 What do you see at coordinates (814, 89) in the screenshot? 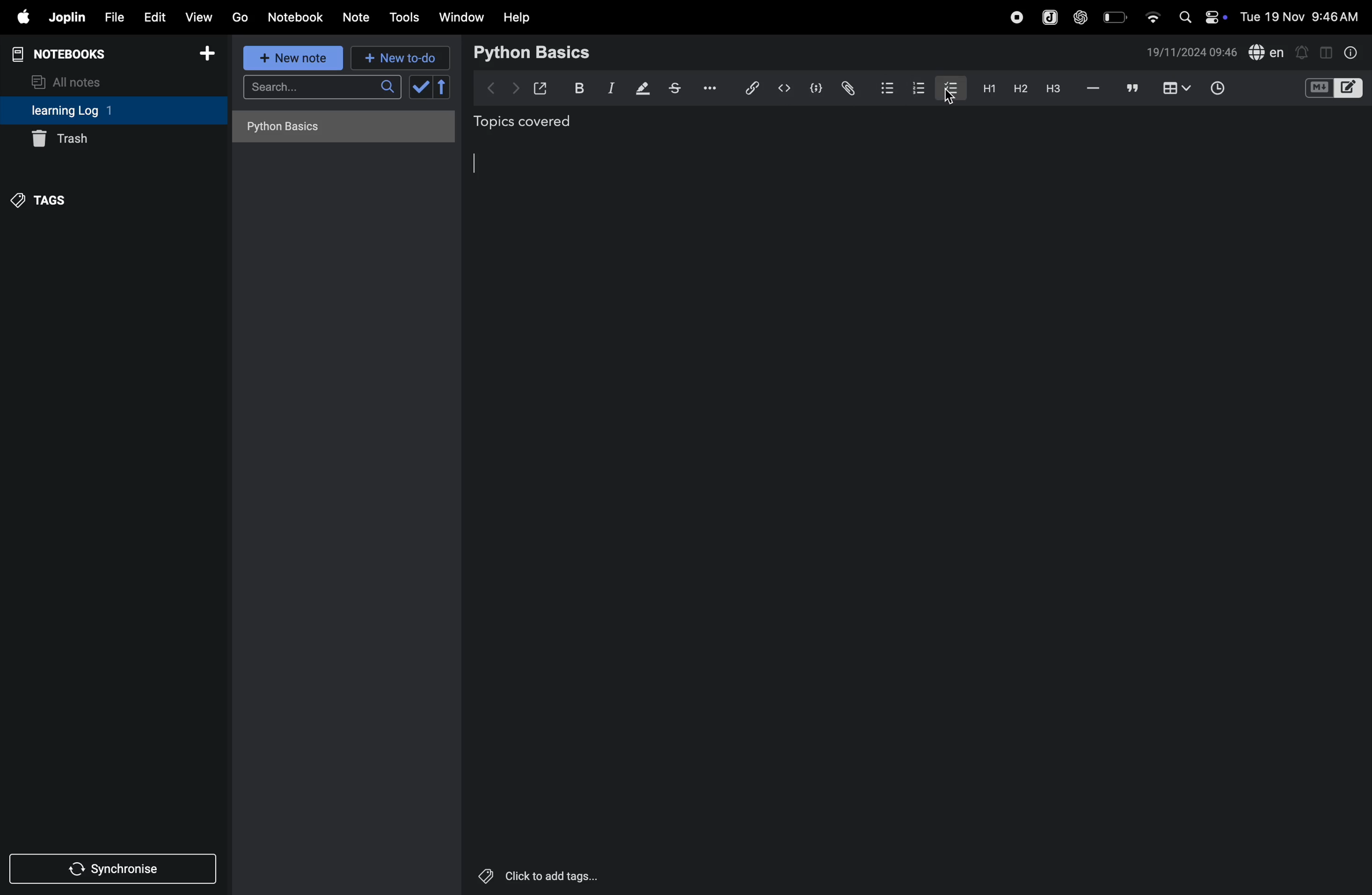
I see `code block` at bounding box center [814, 89].